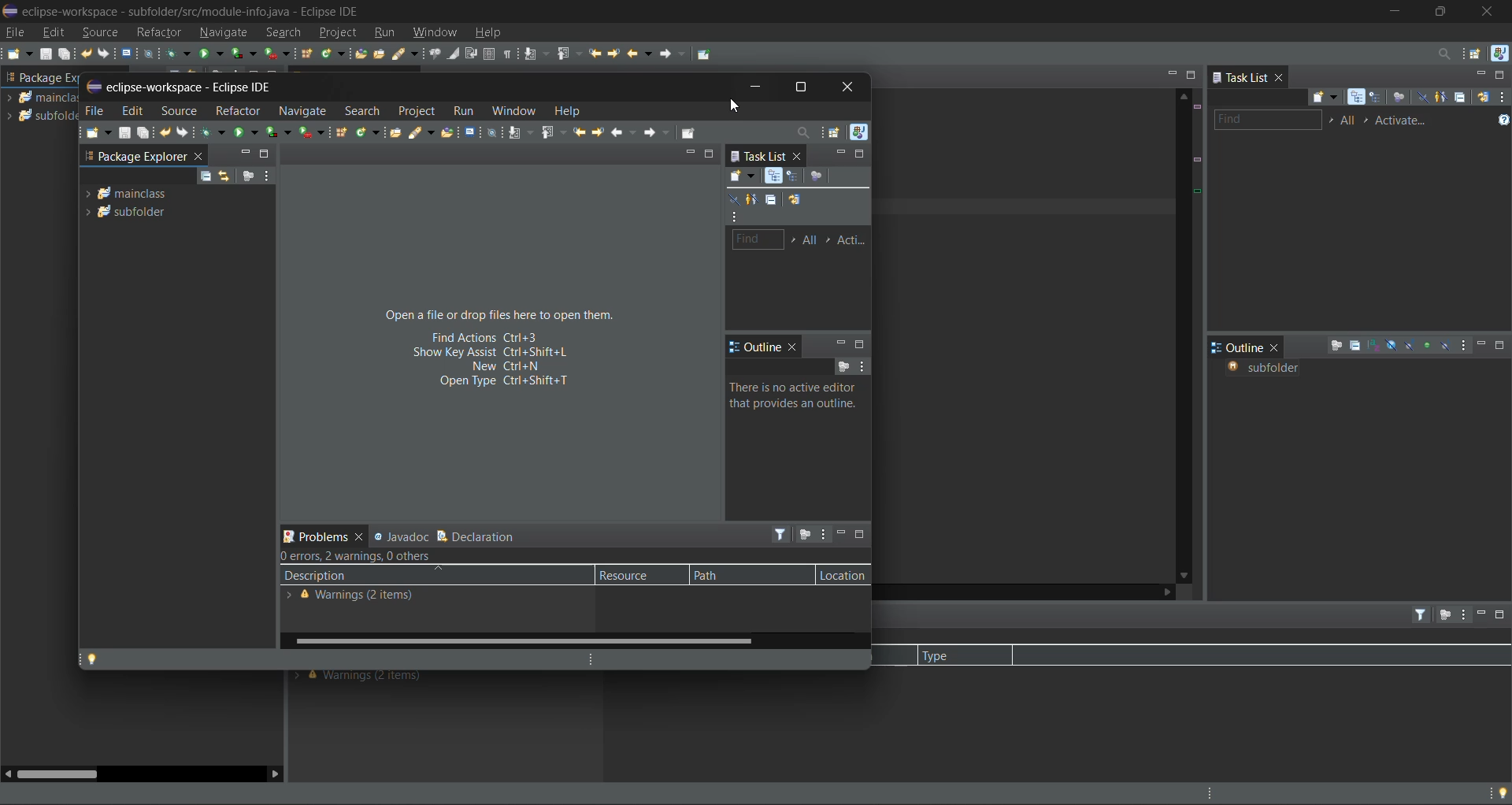 The image size is (1512, 805). Describe the element at coordinates (1503, 77) in the screenshot. I see `maximize` at that location.